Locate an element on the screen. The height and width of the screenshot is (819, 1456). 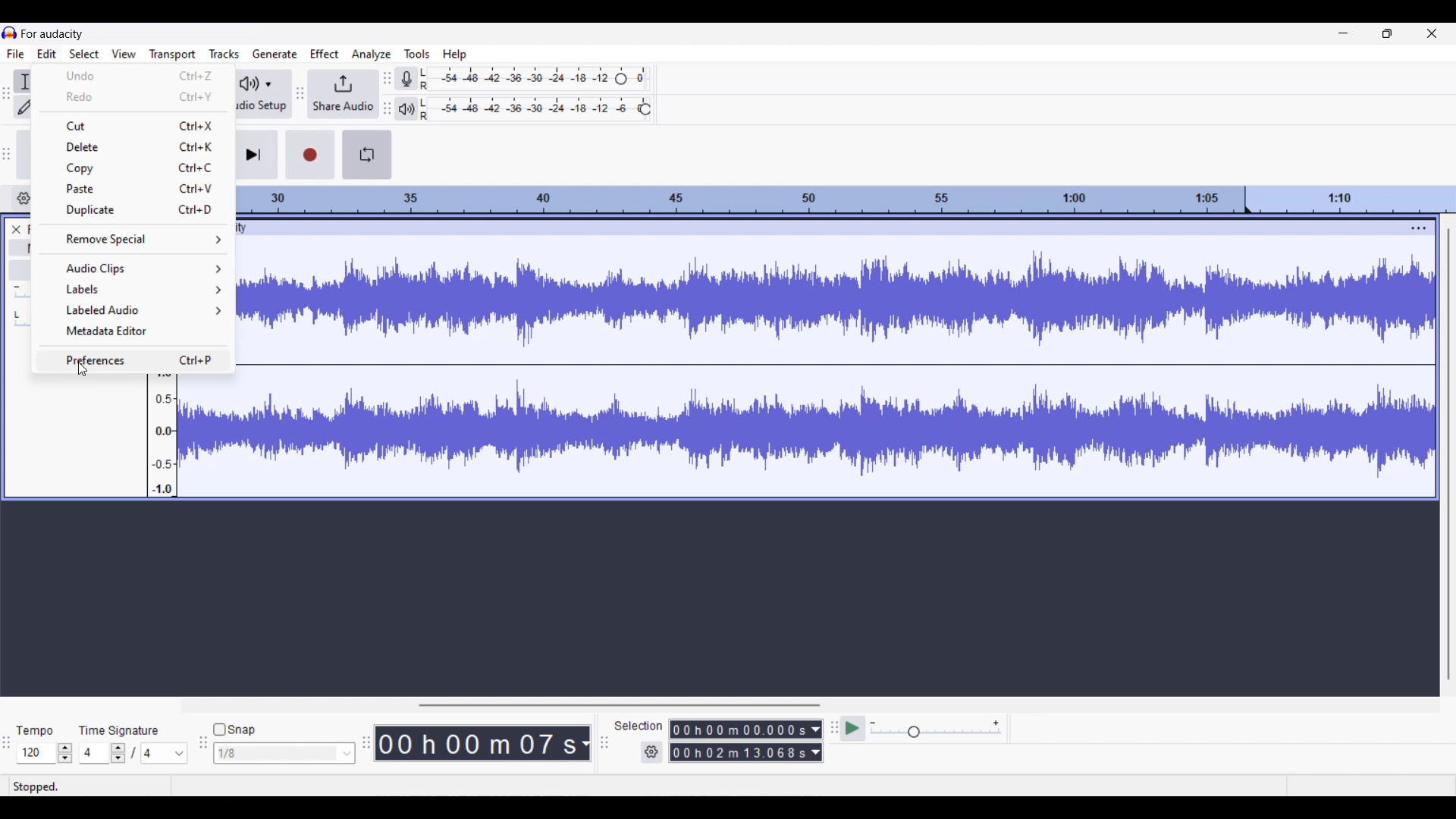
Close interface is located at coordinates (1432, 33).